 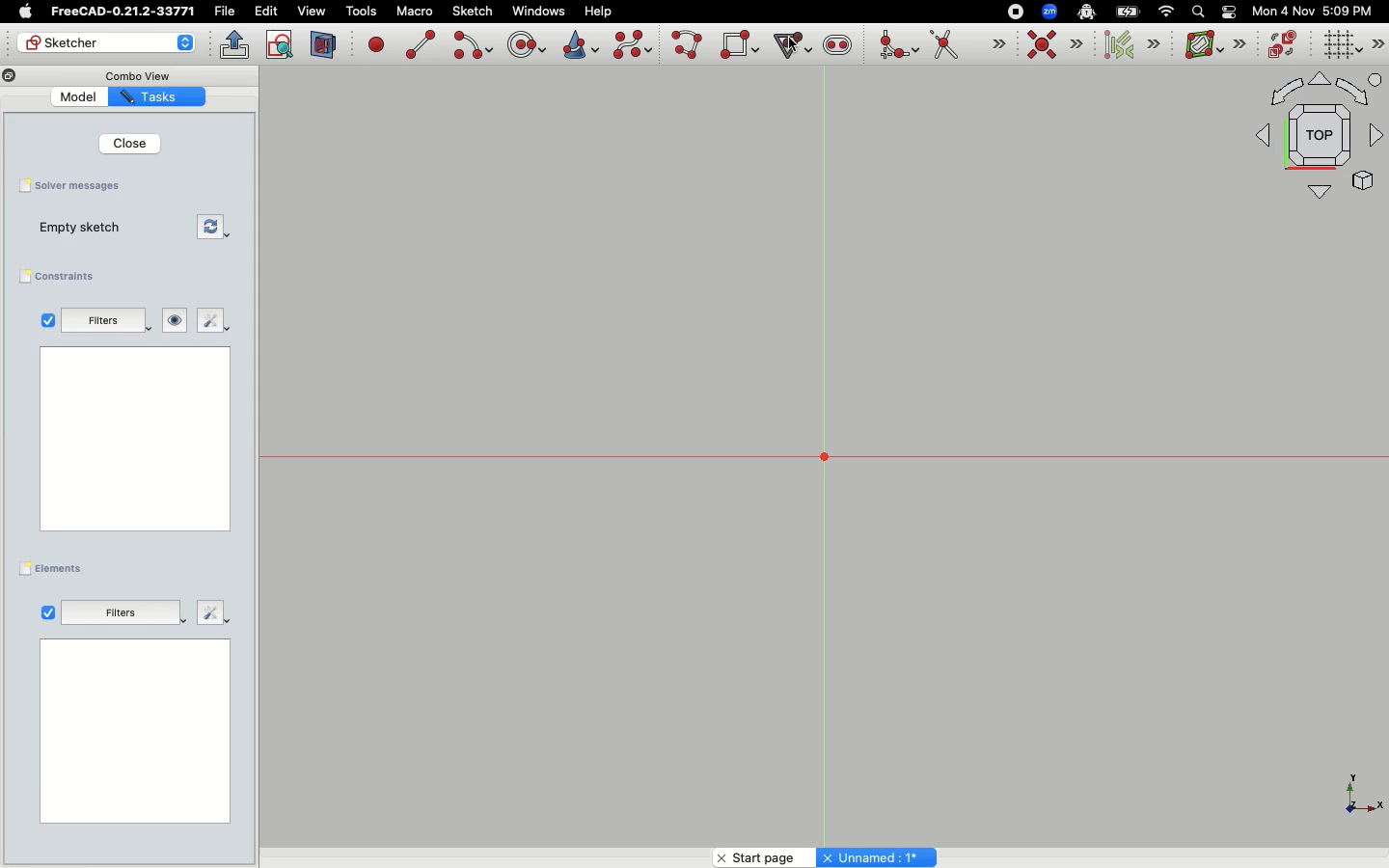 I want to click on B-spline information layer, so click(x=1213, y=45).